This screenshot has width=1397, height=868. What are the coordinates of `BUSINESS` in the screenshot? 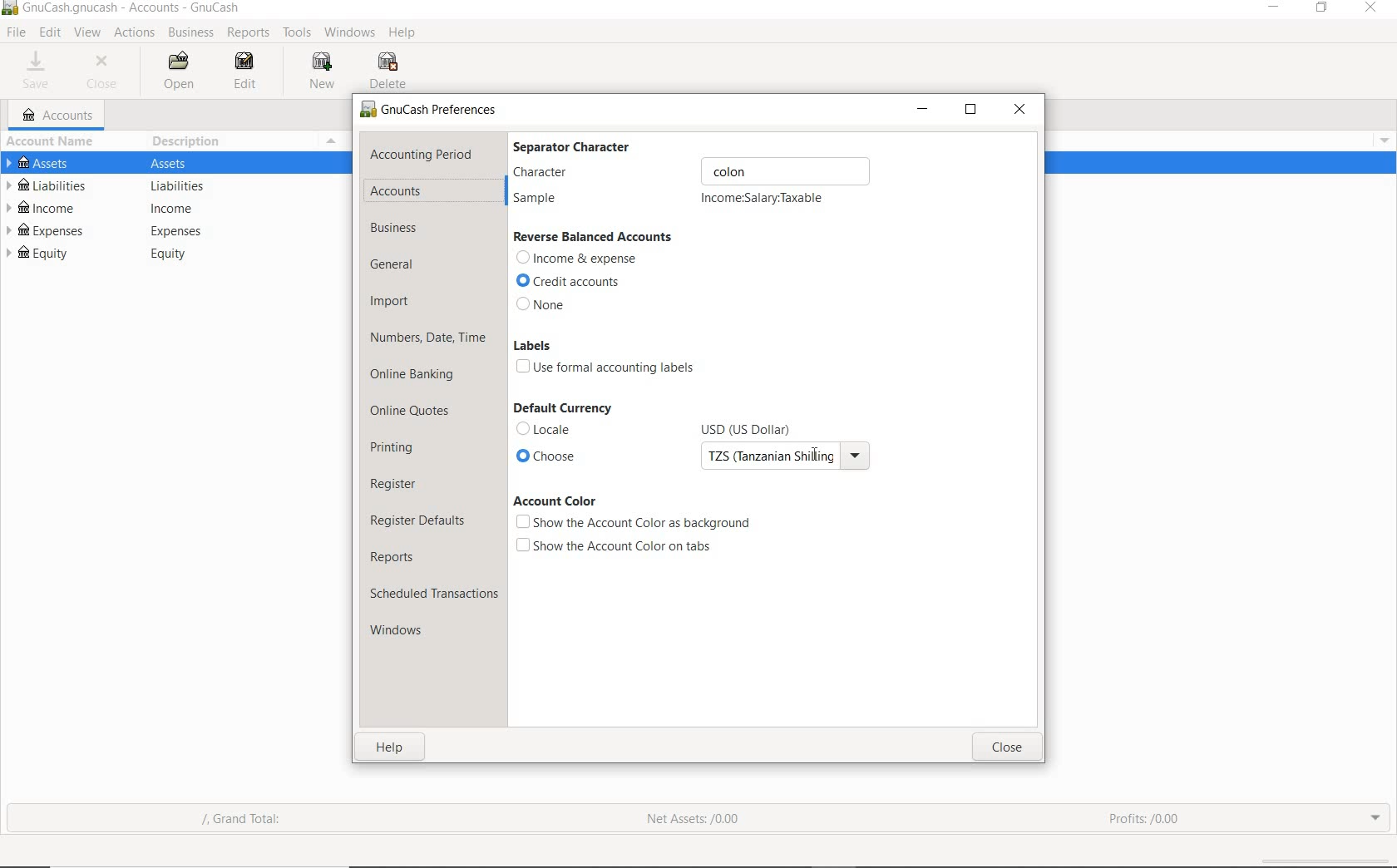 It's located at (192, 33).